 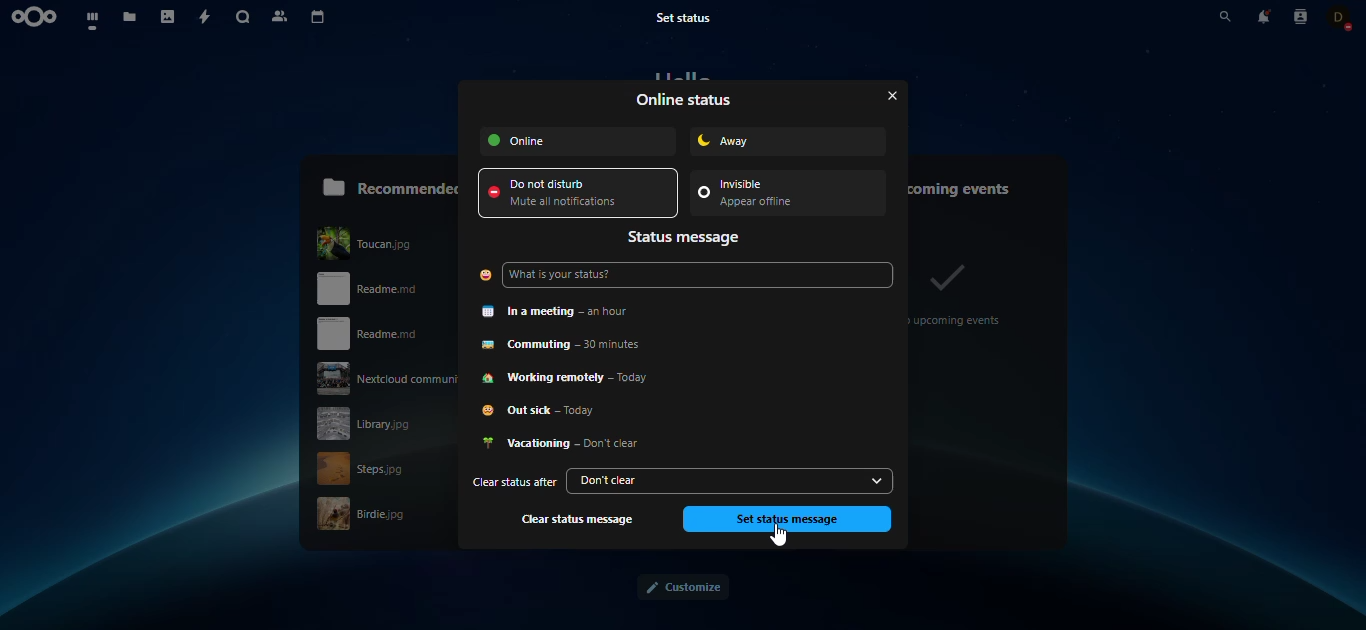 What do you see at coordinates (169, 18) in the screenshot?
I see `photos` at bounding box center [169, 18].